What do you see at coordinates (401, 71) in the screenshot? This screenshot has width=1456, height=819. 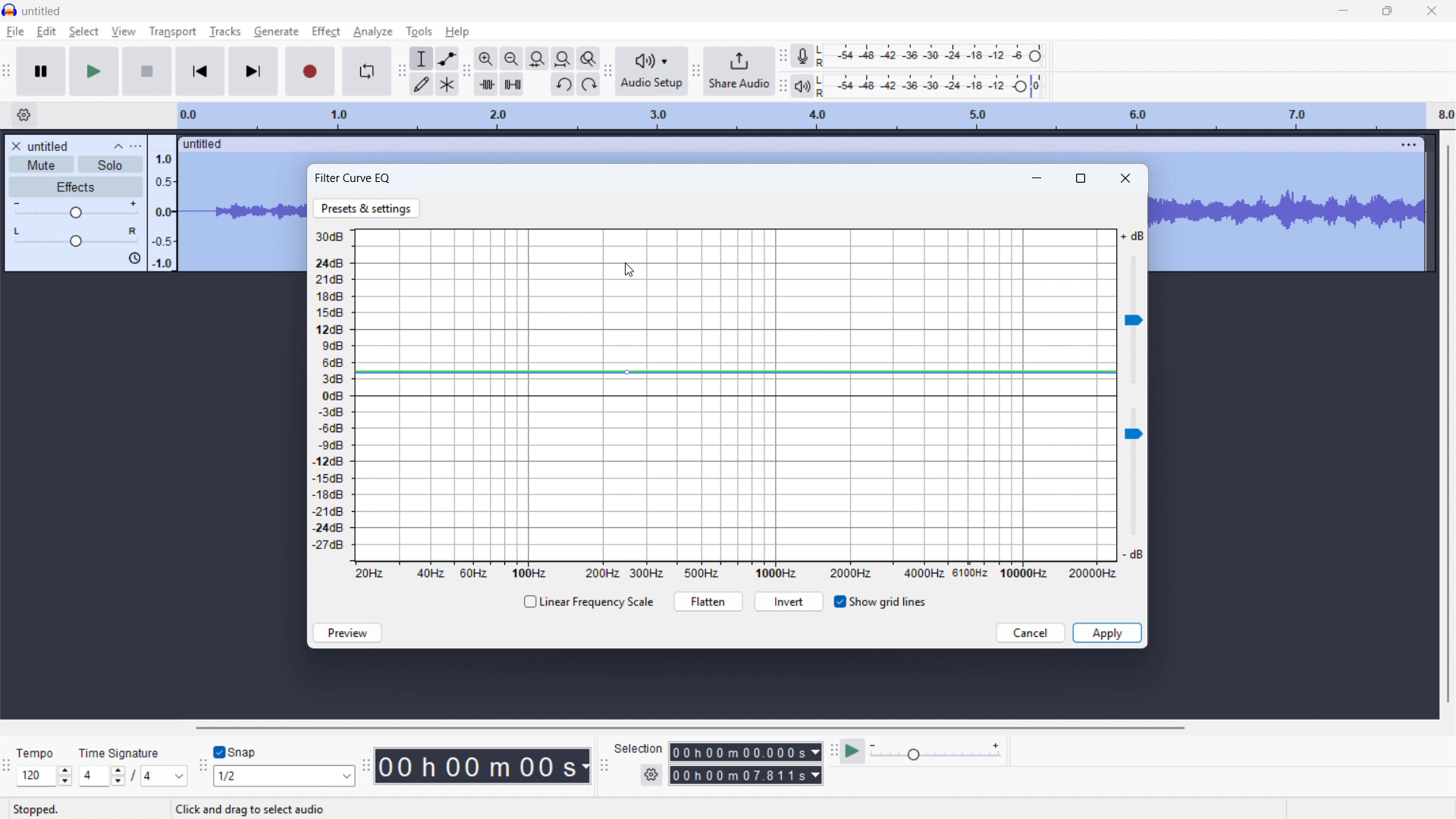 I see `Tools toolbar ` at bounding box center [401, 71].